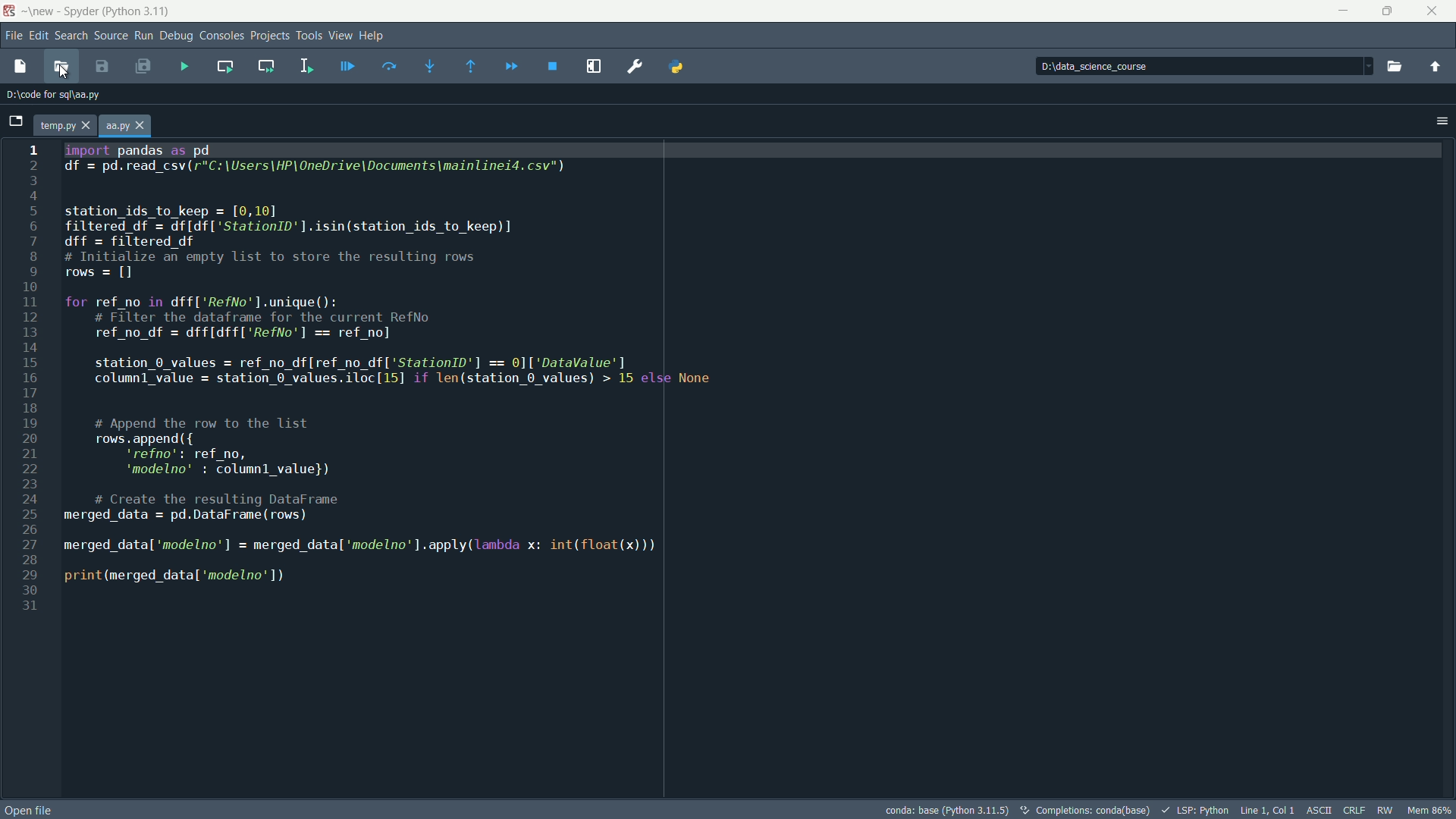 This screenshot has height=819, width=1456. What do you see at coordinates (1355, 809) in the screenshot?
I see `file eol status` at bounding box center [1355, 809].